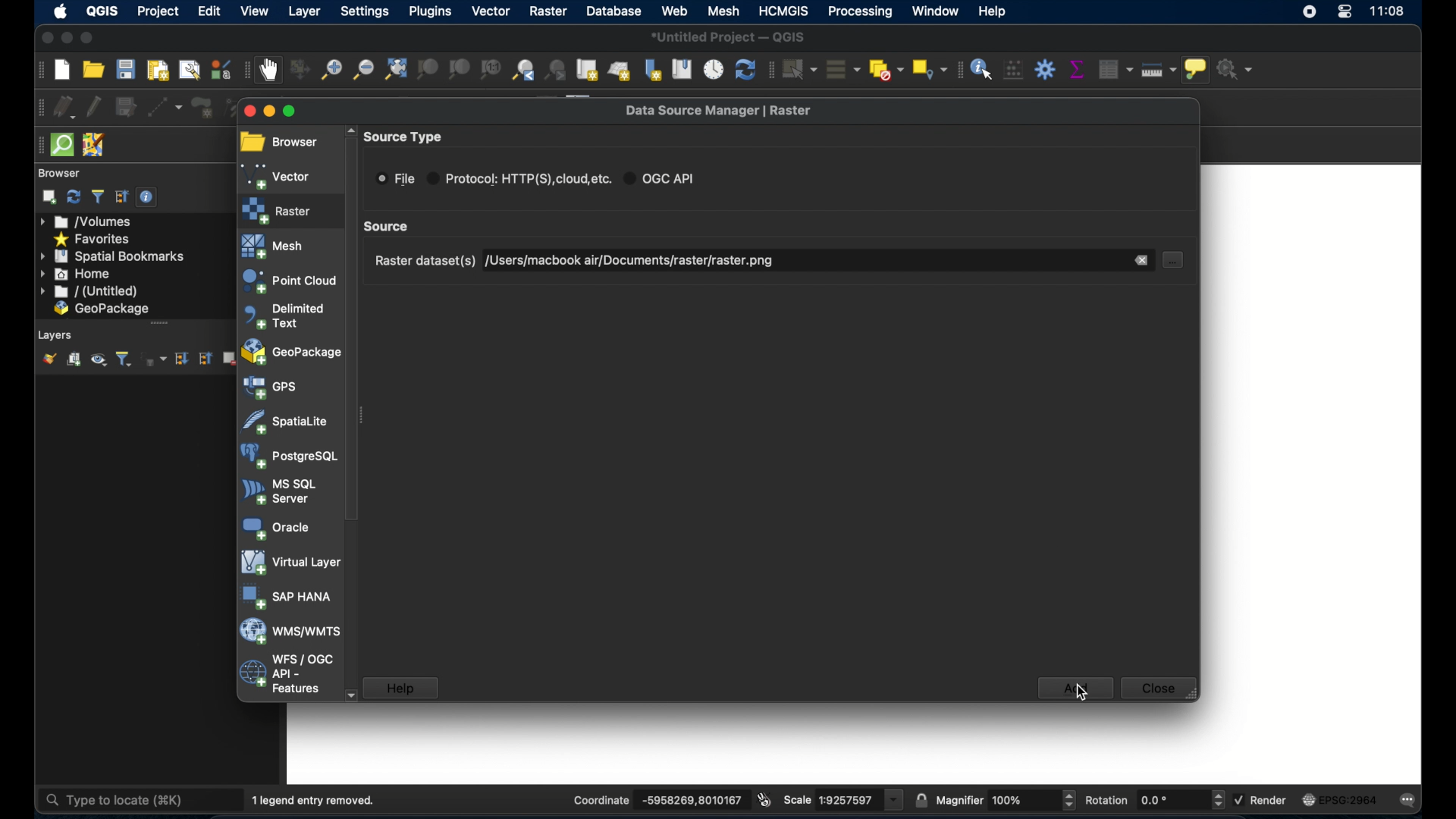 Image resolution: width=1456 pixels, height=819 pixels. Describe the element at coordinates (1068, 800) in the screenshot. I see `Increase or decrease` at that location.